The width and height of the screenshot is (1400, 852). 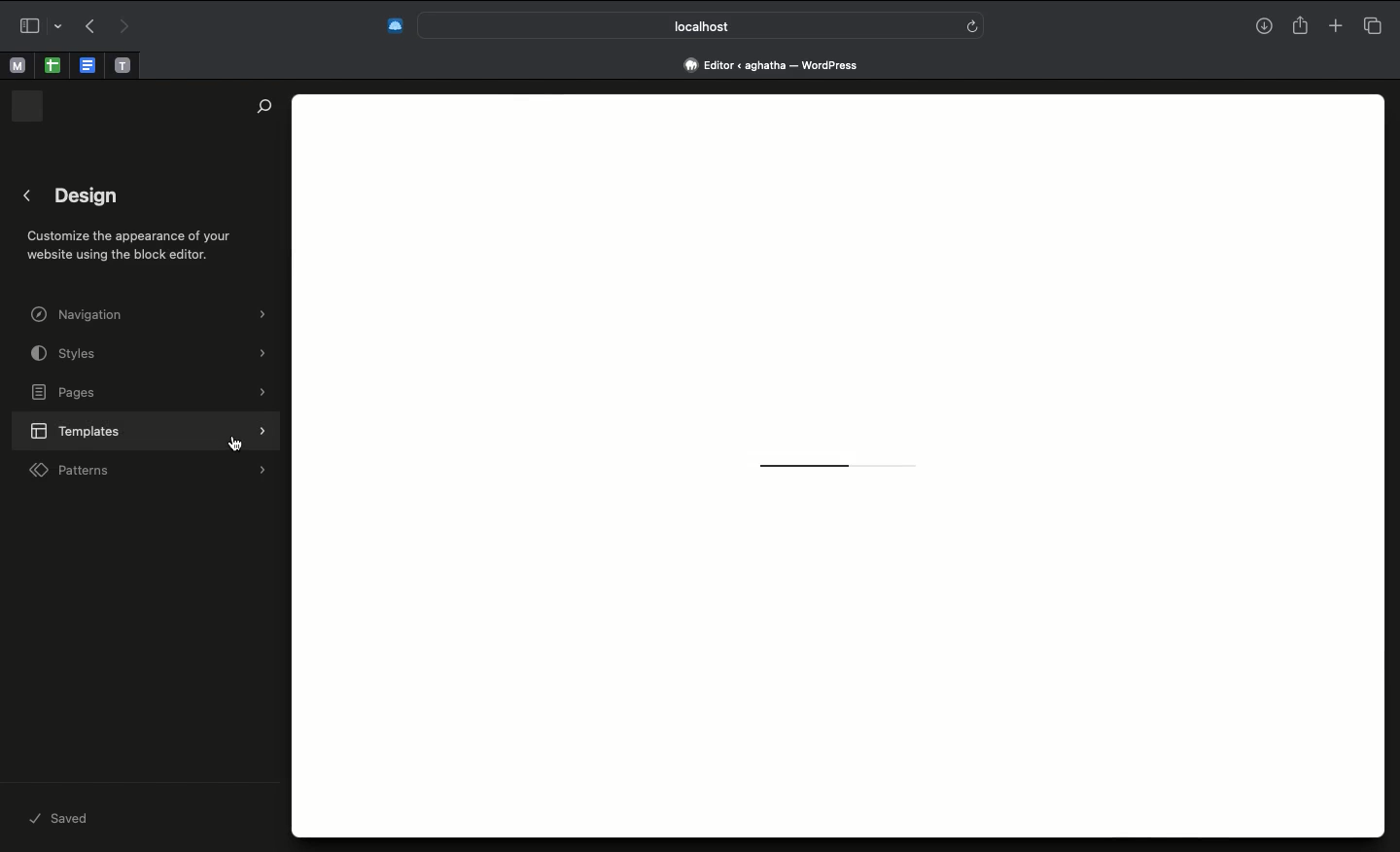 What do you see at coordinates (150, 394) in the screenshot?
I see `Pages` at bounding box center [150, 394].